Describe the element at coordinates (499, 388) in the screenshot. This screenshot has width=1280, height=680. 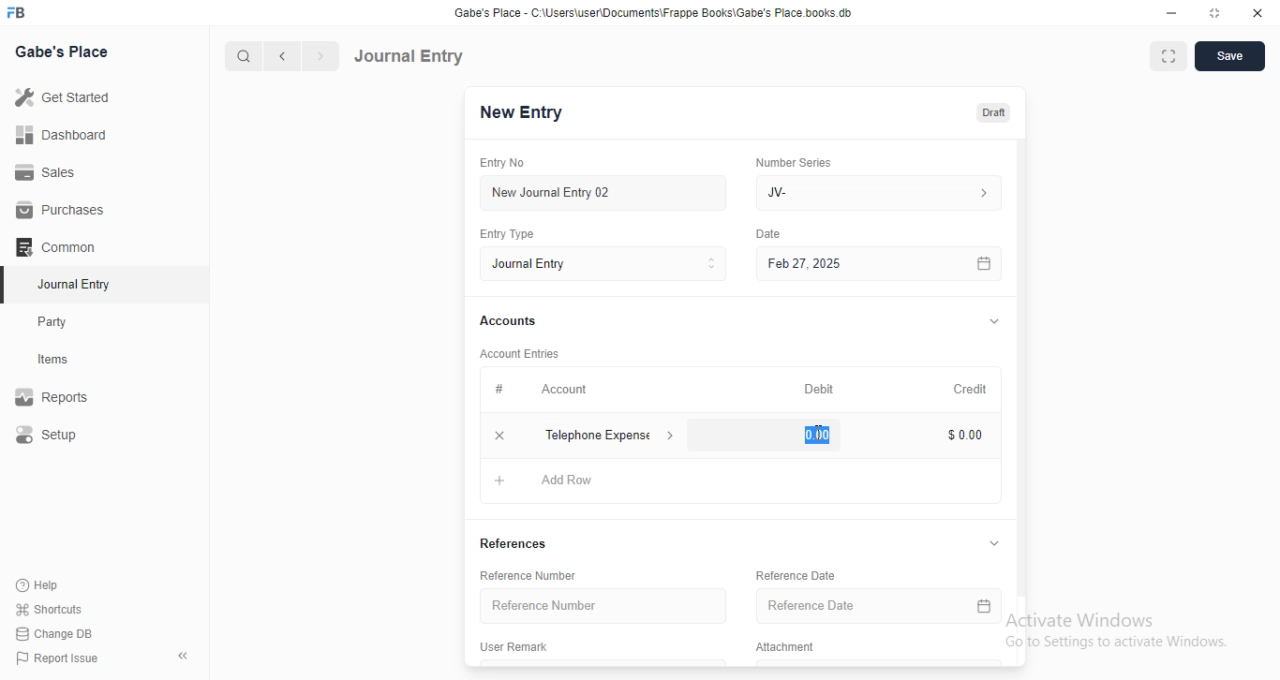
I see `#` at that location.